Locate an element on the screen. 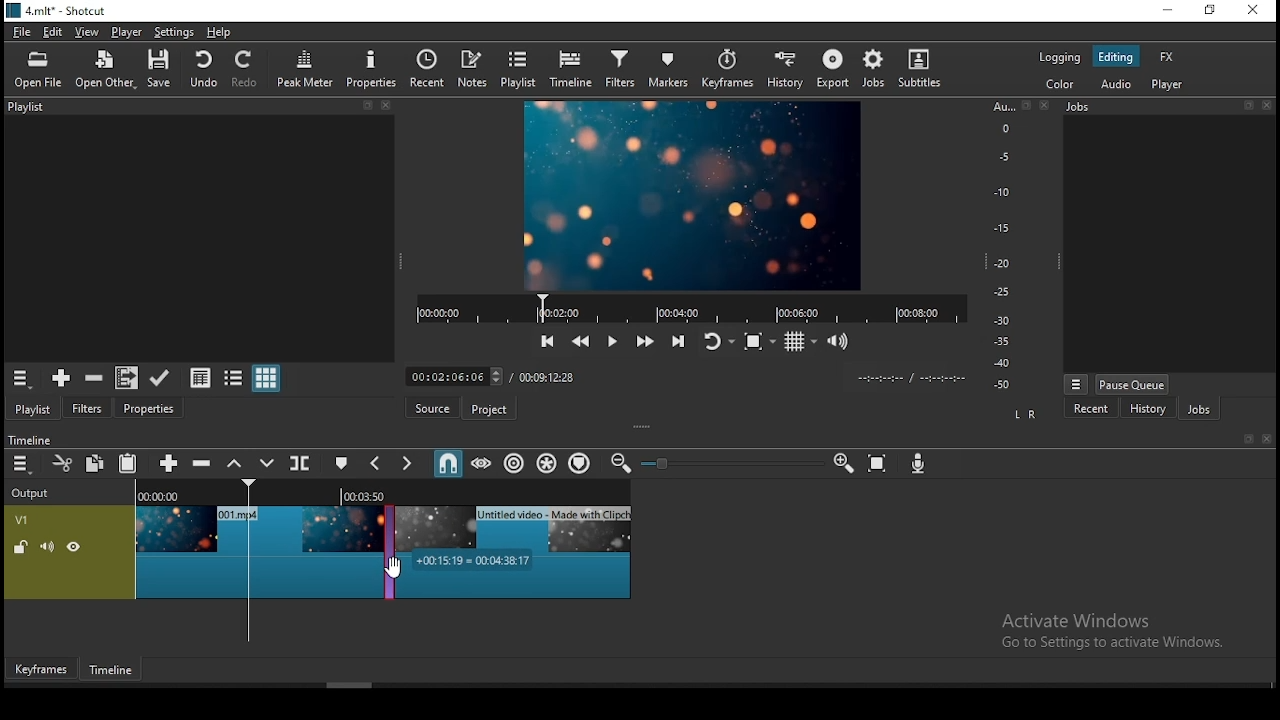 The width and height of the screenshot is (1280, 720). properties is located at coordinates (149, 407).